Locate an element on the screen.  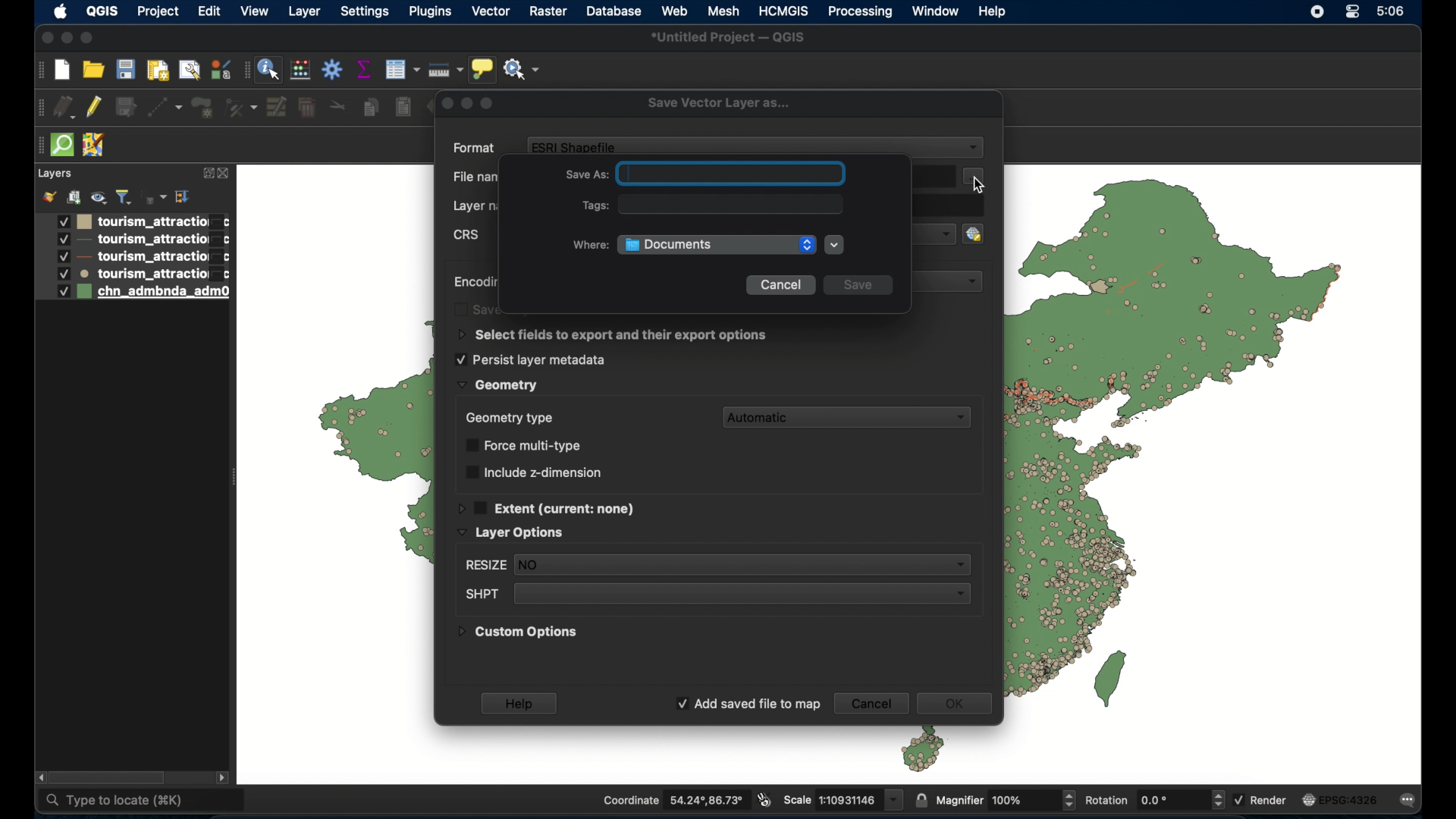
cancel is located at coordinates (780, 286).